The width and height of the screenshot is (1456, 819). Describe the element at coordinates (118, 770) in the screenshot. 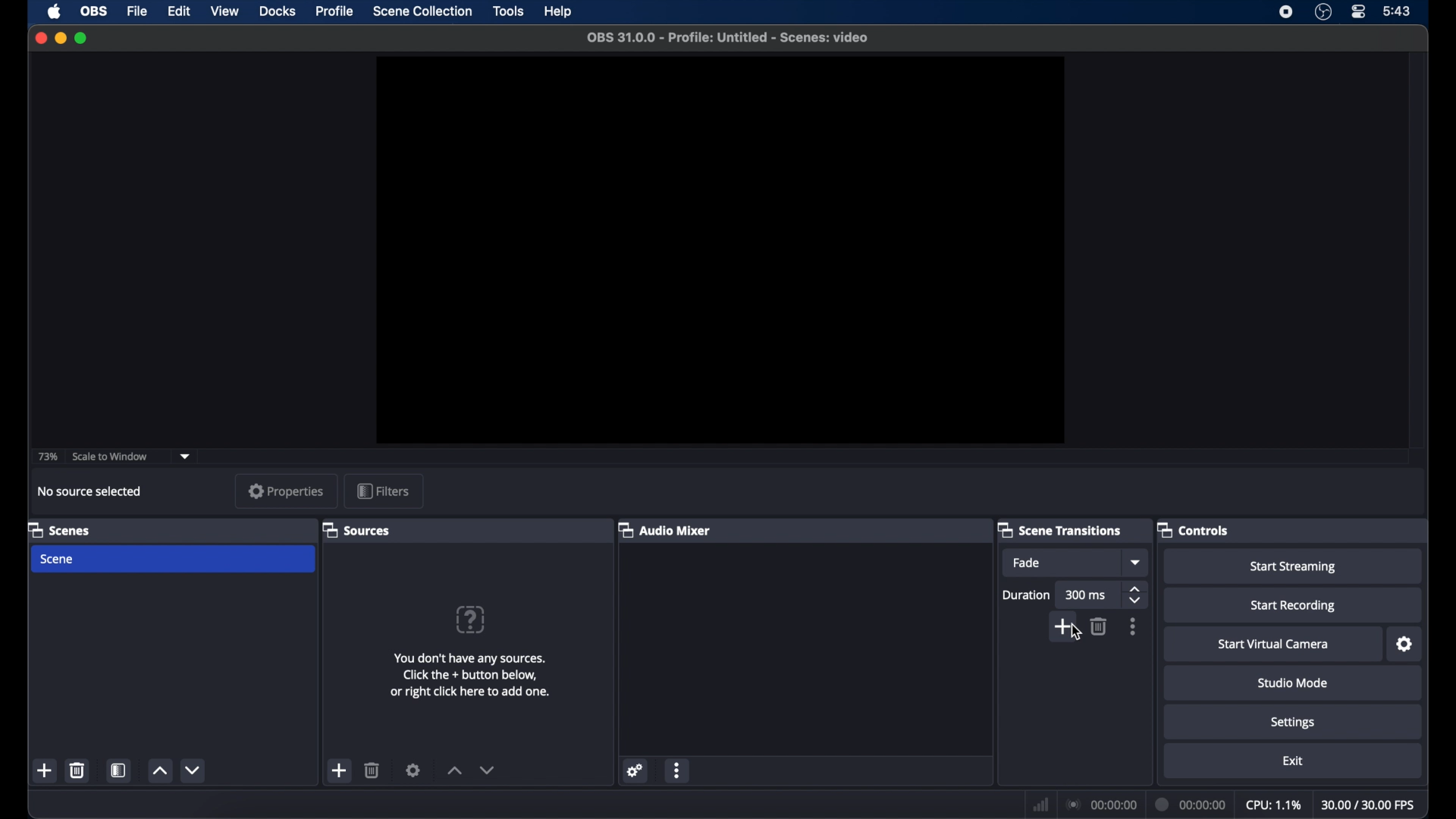

I see `scene filters` at that location.